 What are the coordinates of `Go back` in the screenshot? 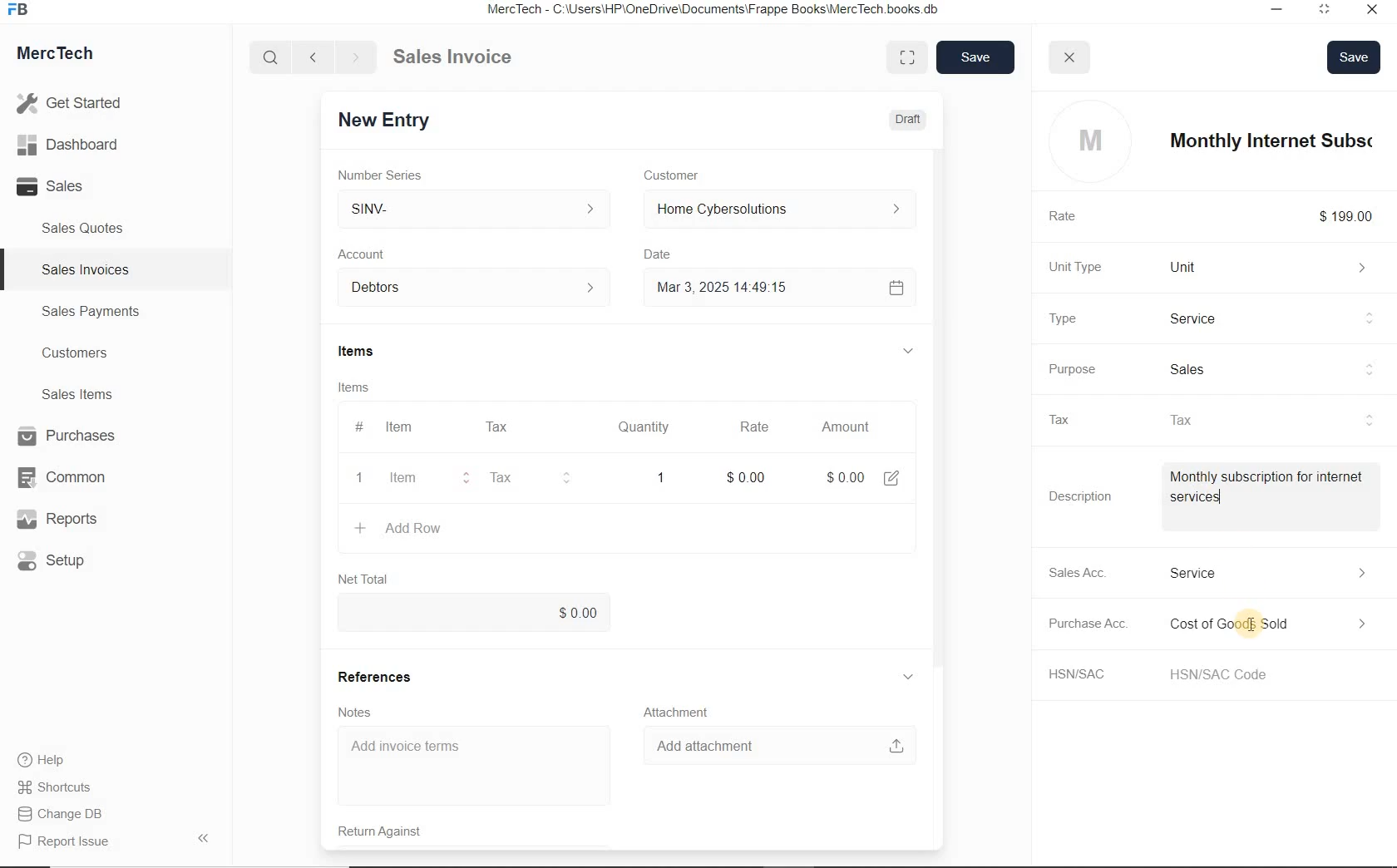 It's located at (315, 57).